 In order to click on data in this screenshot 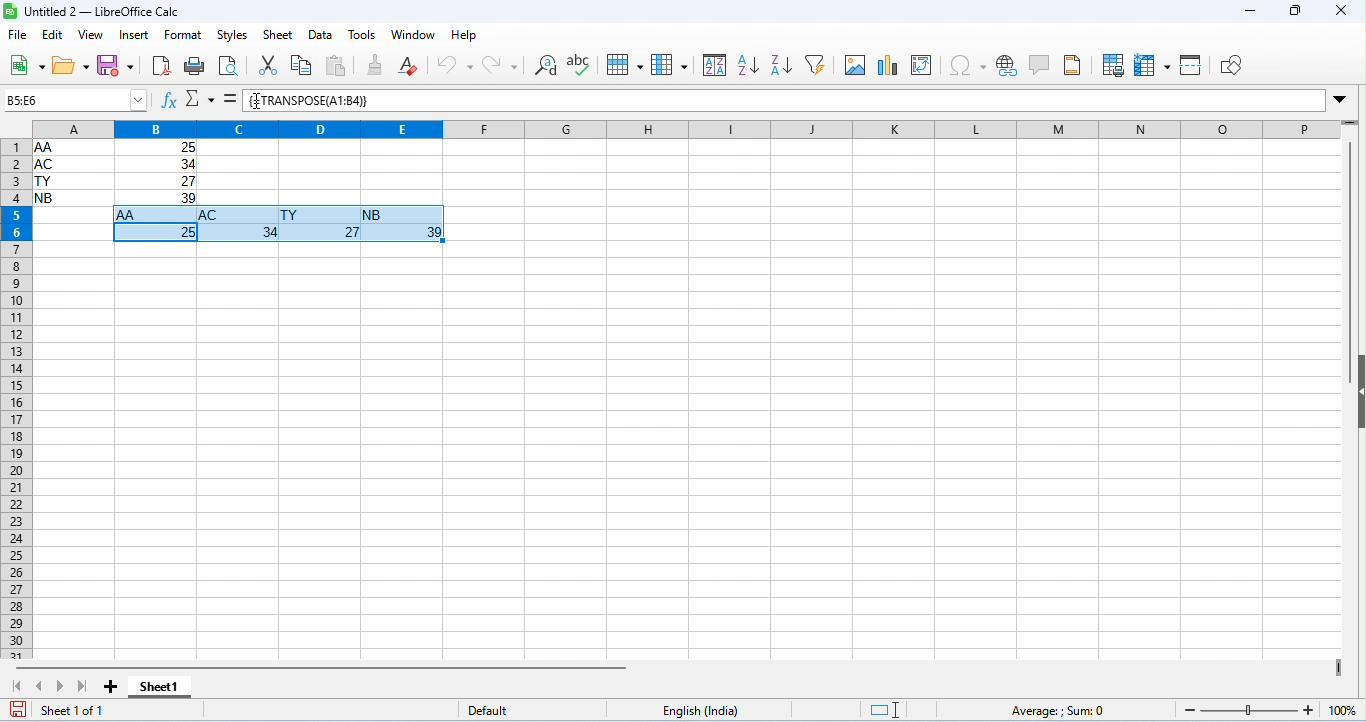, I will do `click(321, 36)`.